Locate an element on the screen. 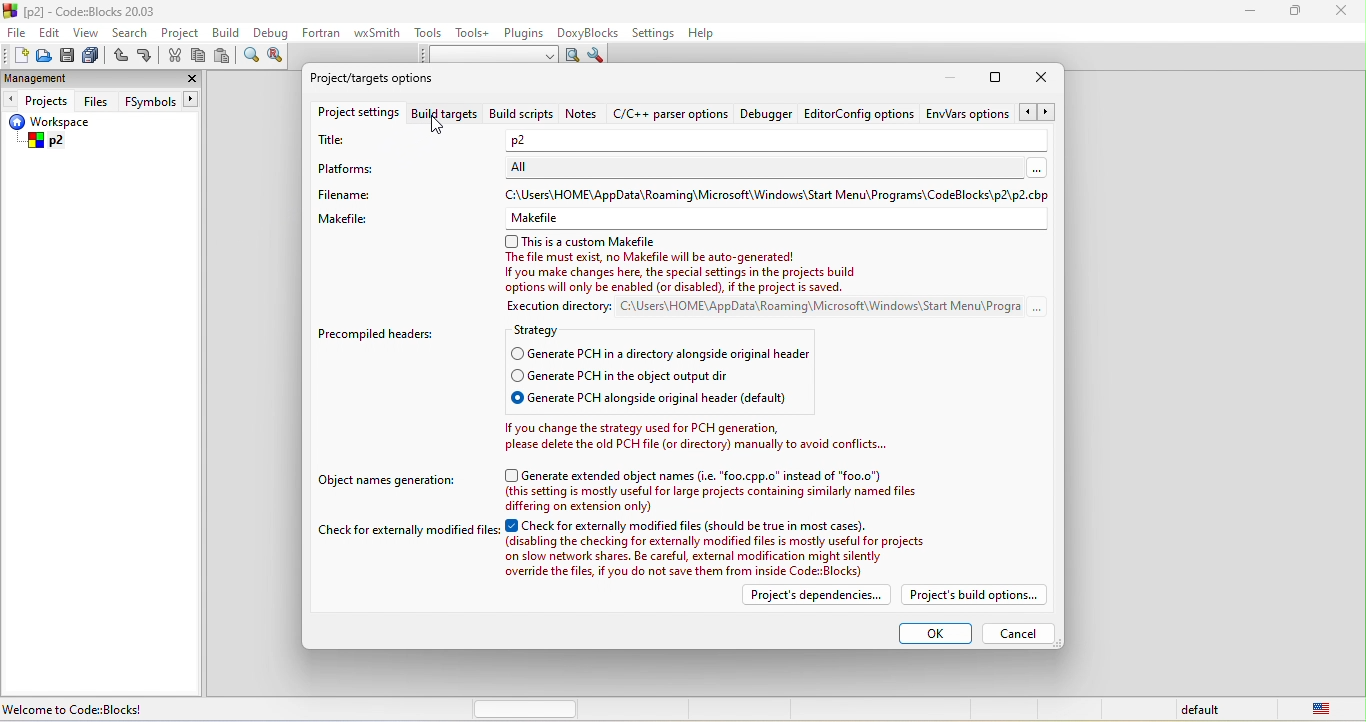 The width and height of the screenshot is (1366, 722). note is located at coordinates (583, 116).